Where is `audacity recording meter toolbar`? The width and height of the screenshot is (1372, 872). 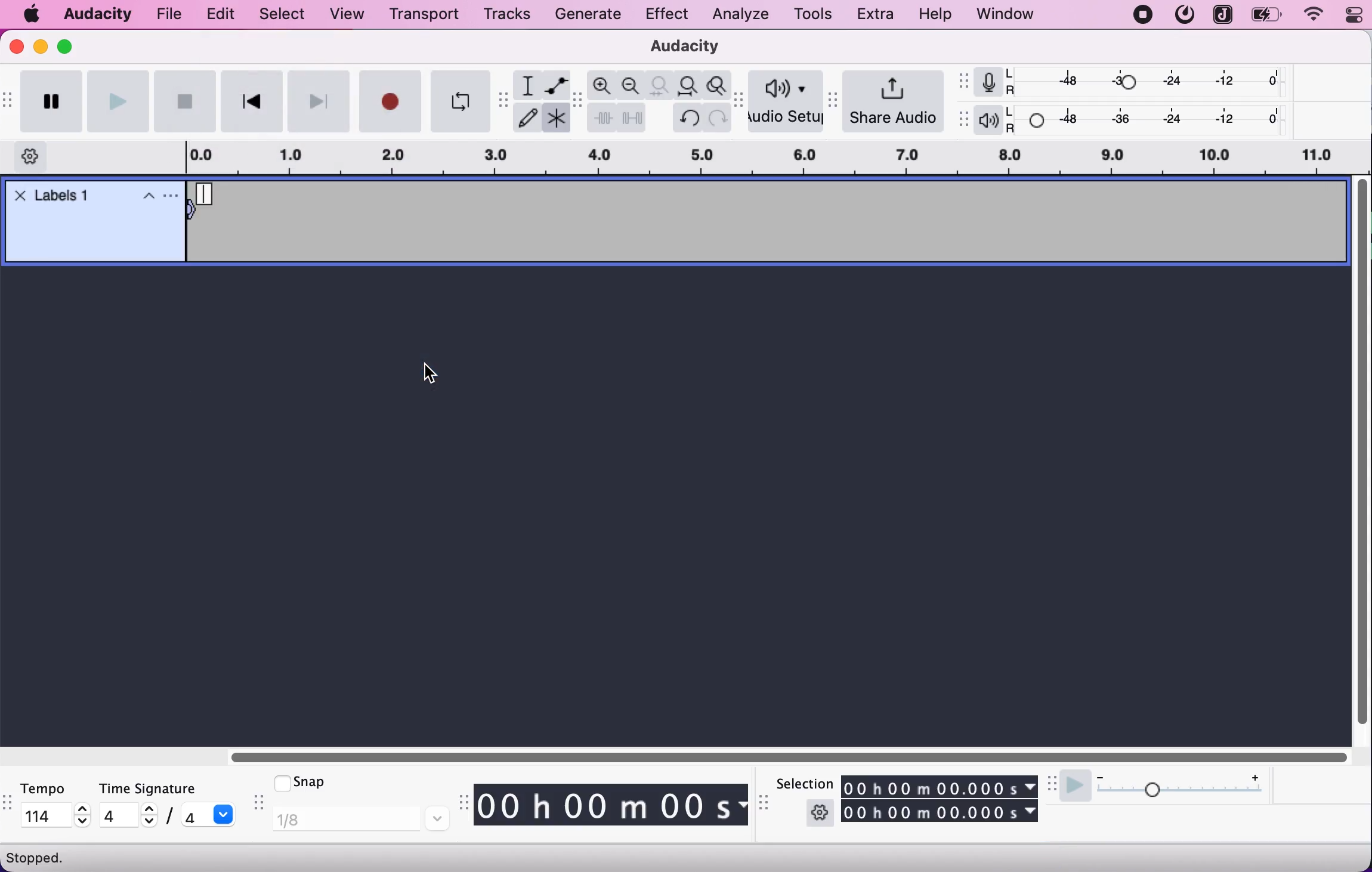 audacity recording meter toolbar is located at coordinates (962, 80).